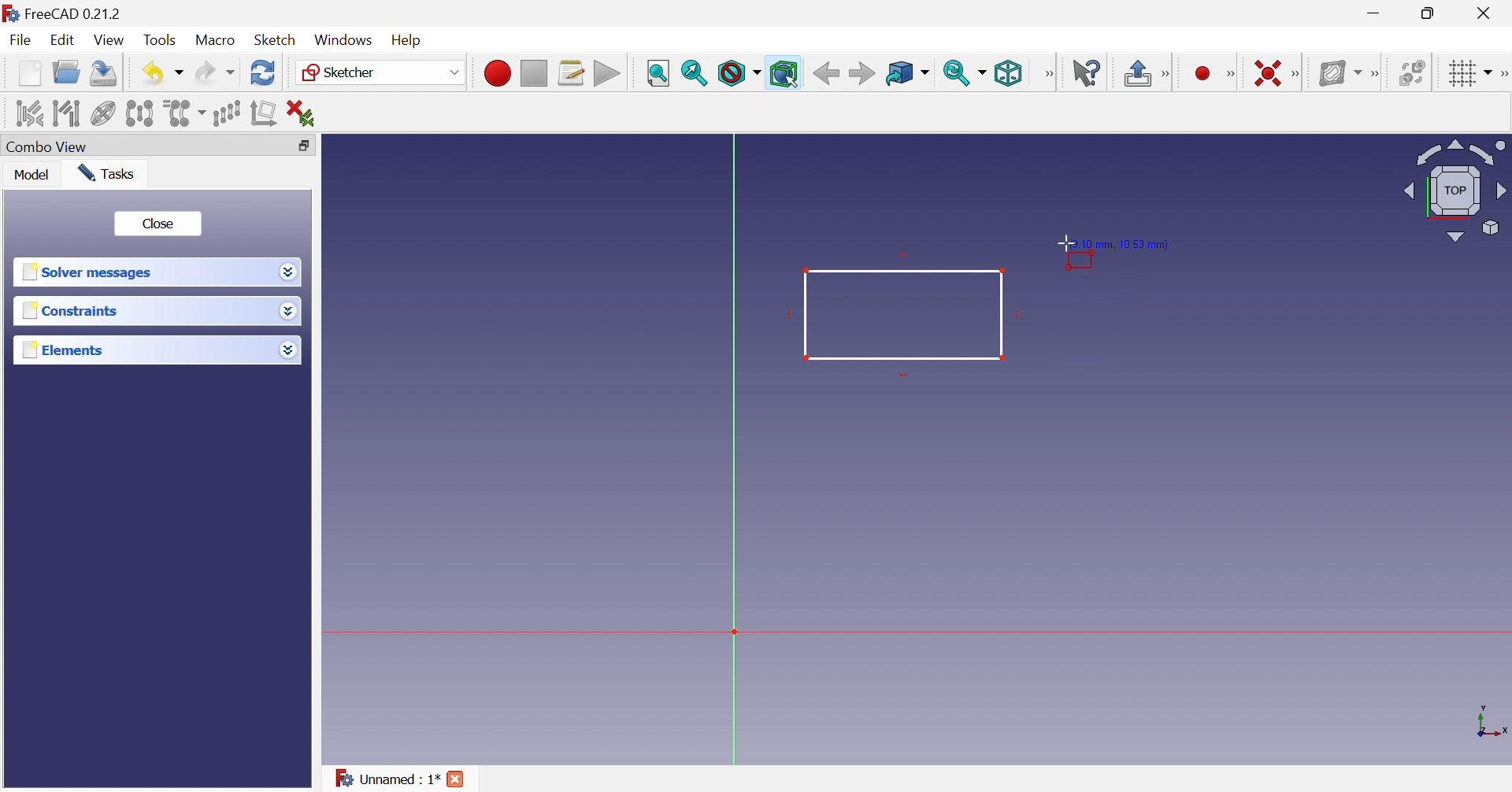  I want to click on Model, so click(31, 175).